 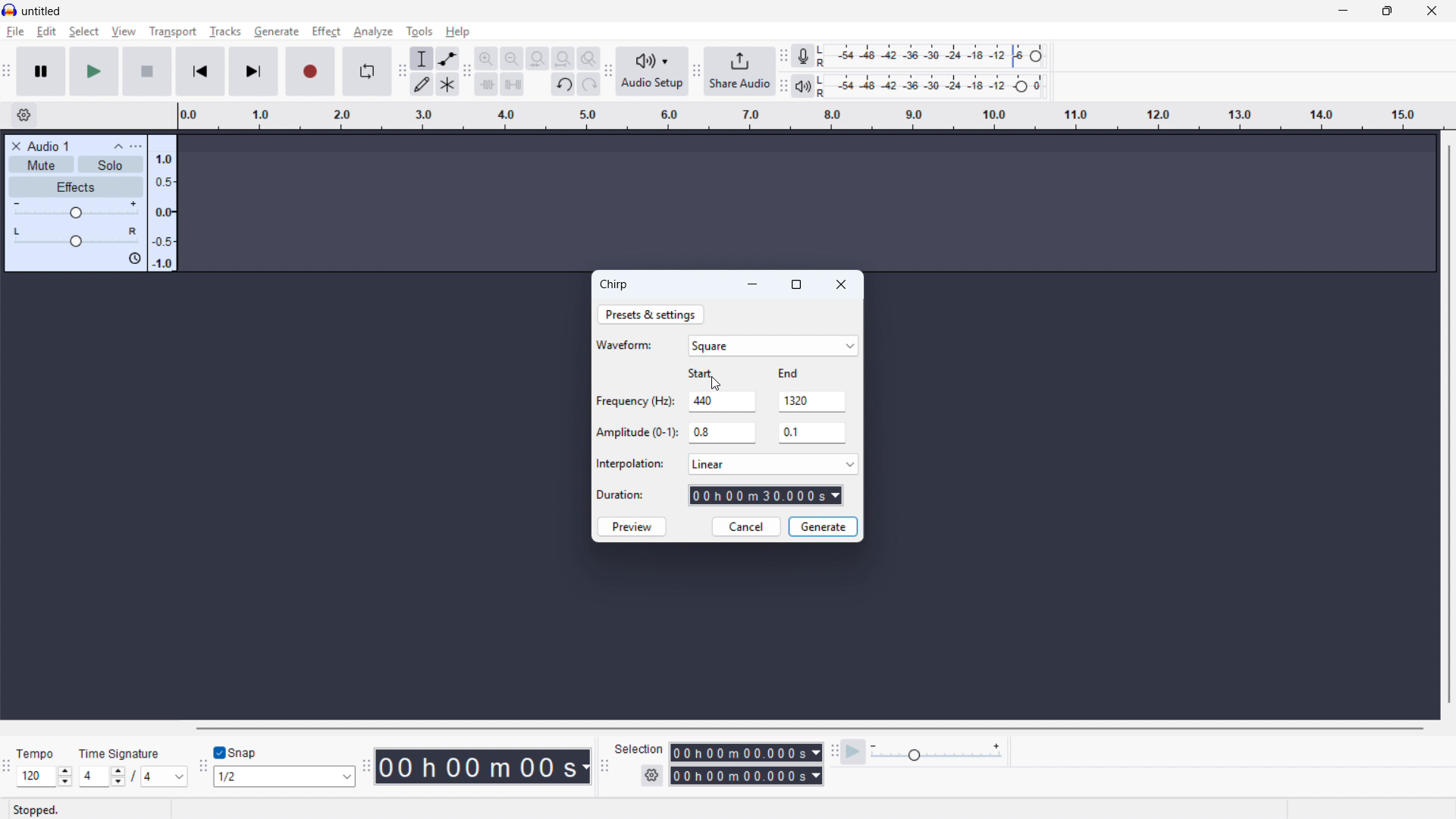 I want to click on Preview , so click(x=632, y=526).